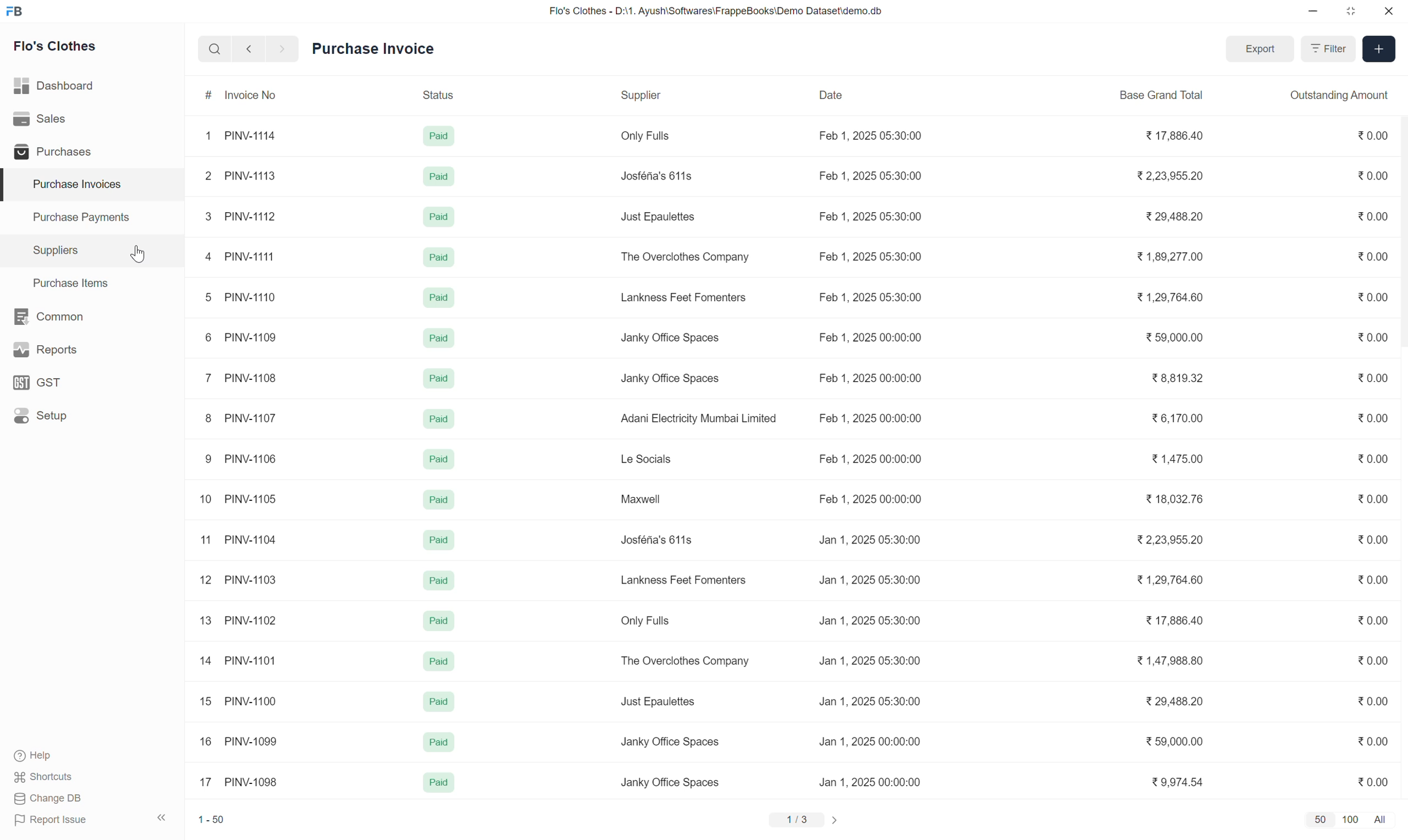 The image size is (1408, 840). Describe the element at coordinates (698, 419) in the screenshot. I see `Adani Electricity Mumbai Limited` at that location.